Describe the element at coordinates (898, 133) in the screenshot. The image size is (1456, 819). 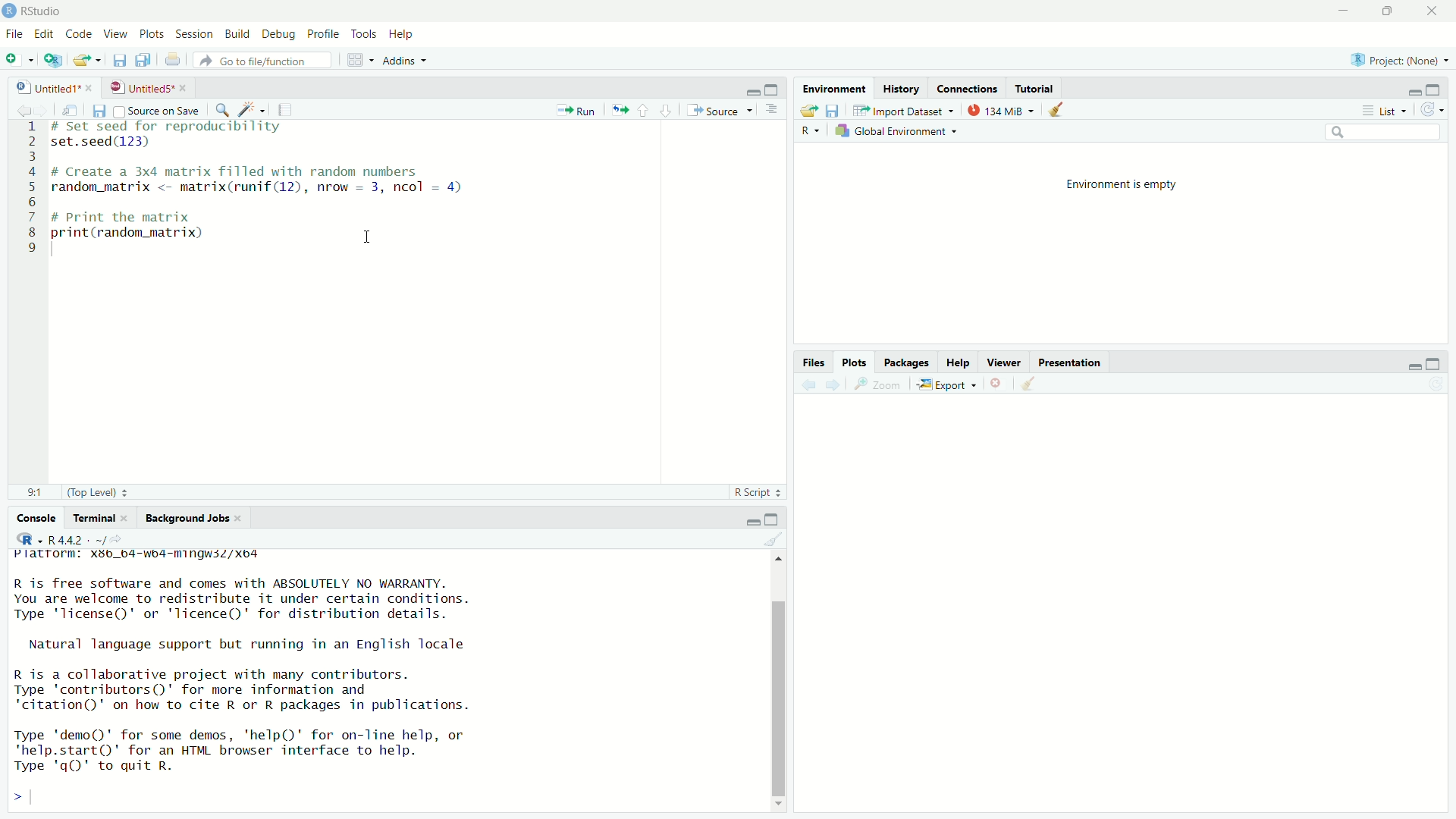
I see `kh Global Environment +` at that location.